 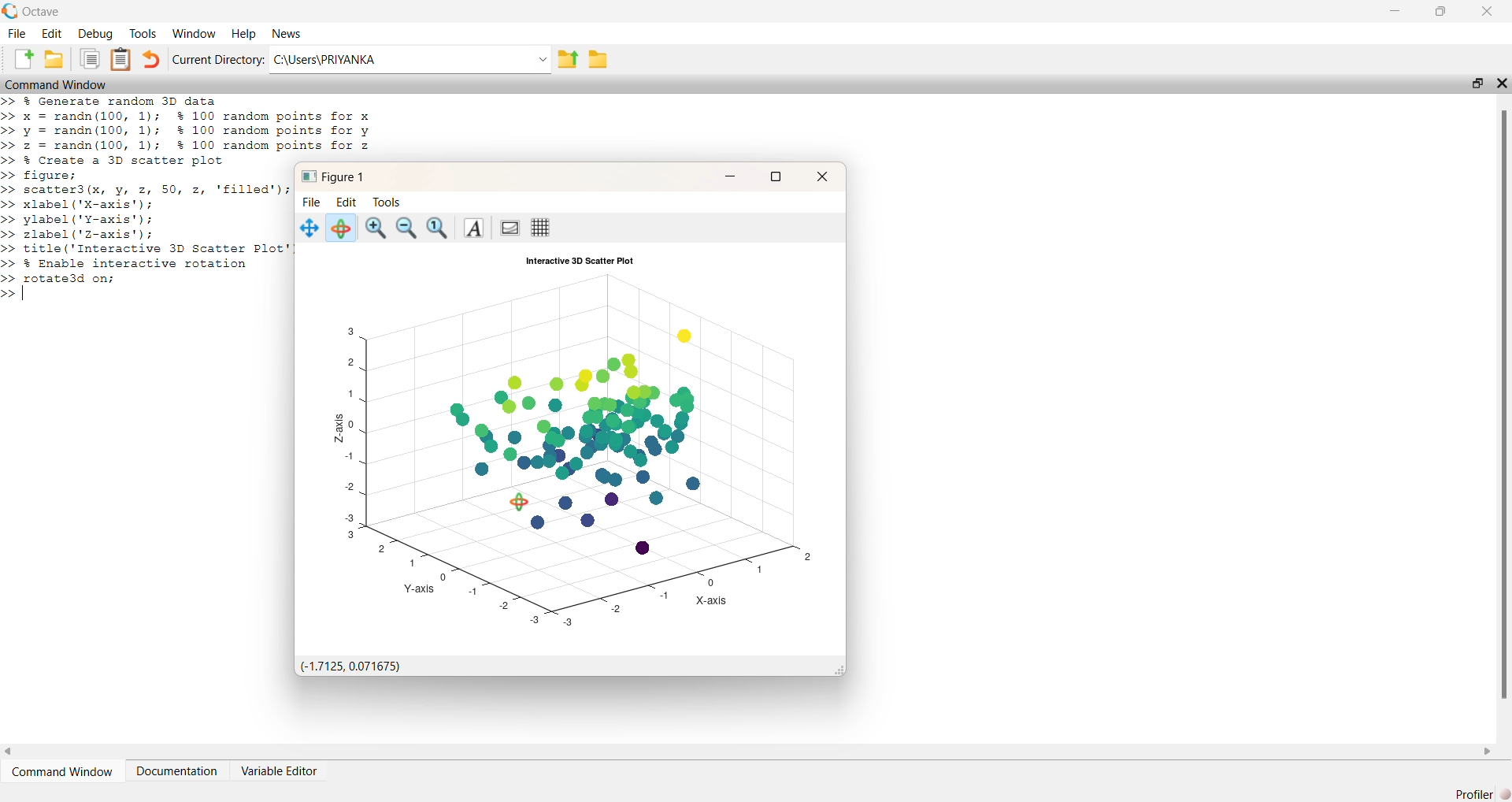 I want to click on move, so click(x=309, y=228).